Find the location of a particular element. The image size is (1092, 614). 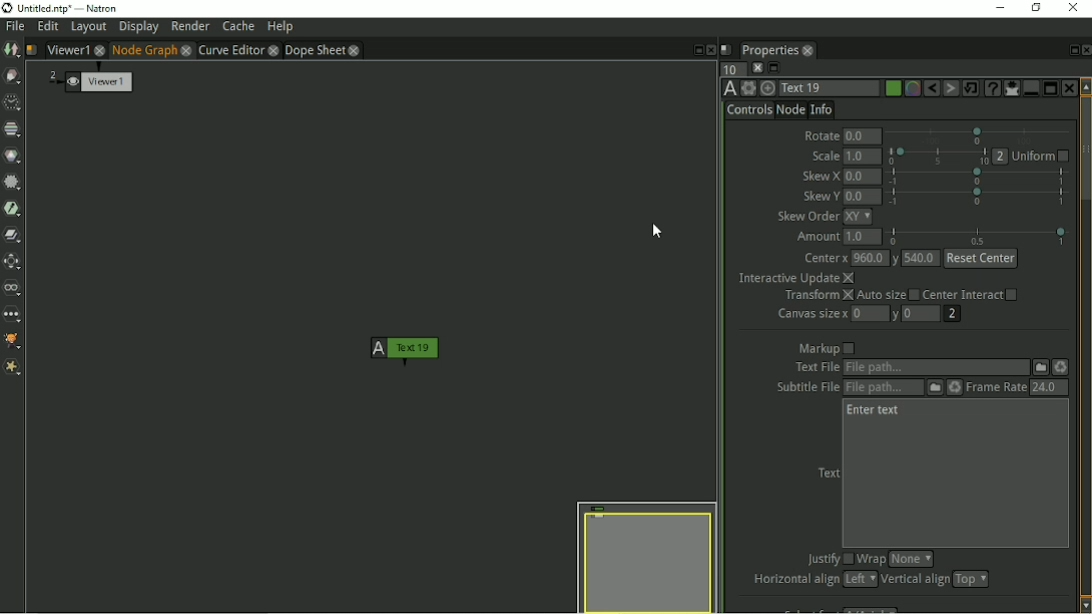

Auto size is located at coordinates (888, 296).